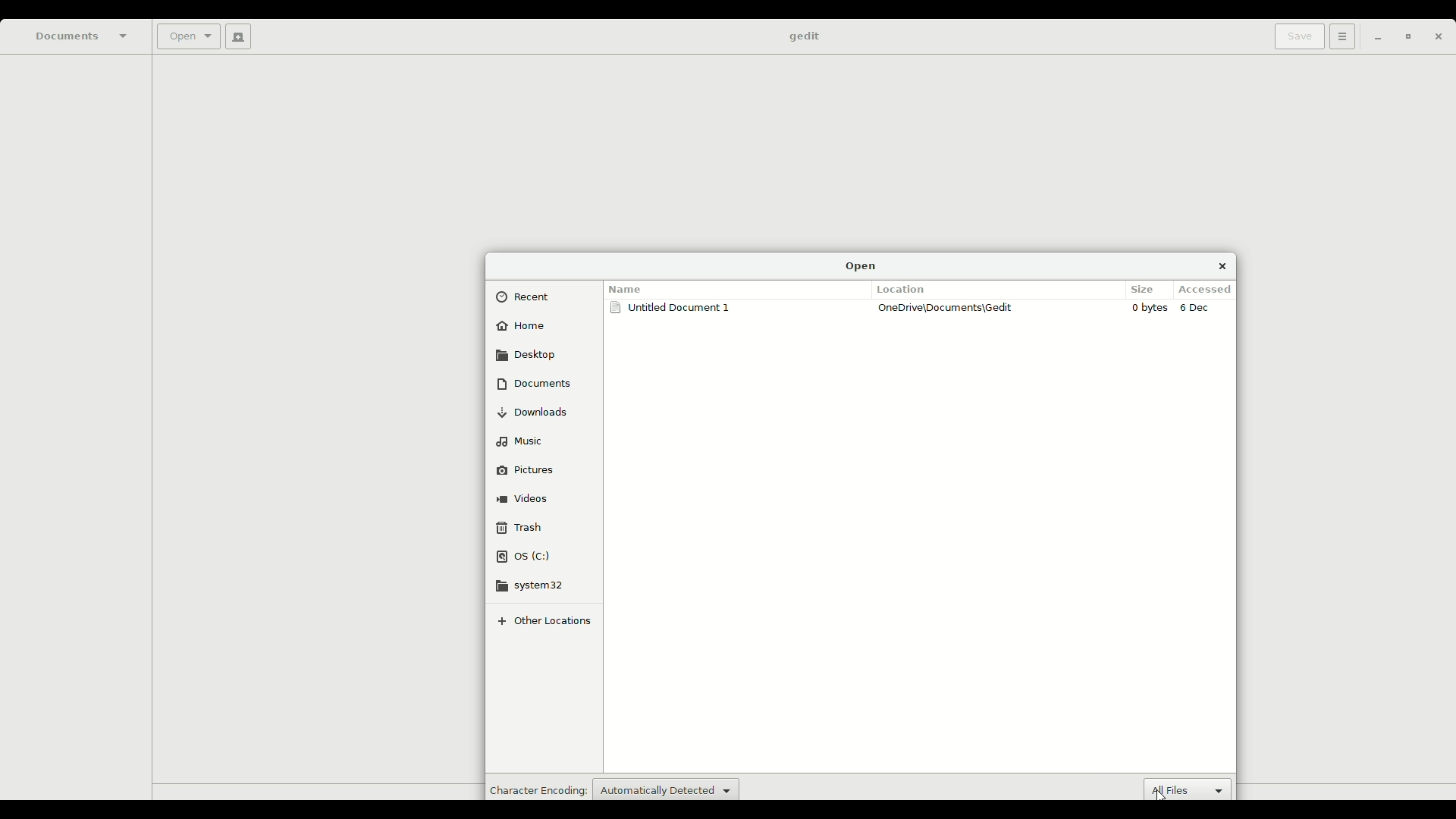 The height and width of the screenshot is (819, 1456). I want to click on 6 Dec, so click(1200, 309).